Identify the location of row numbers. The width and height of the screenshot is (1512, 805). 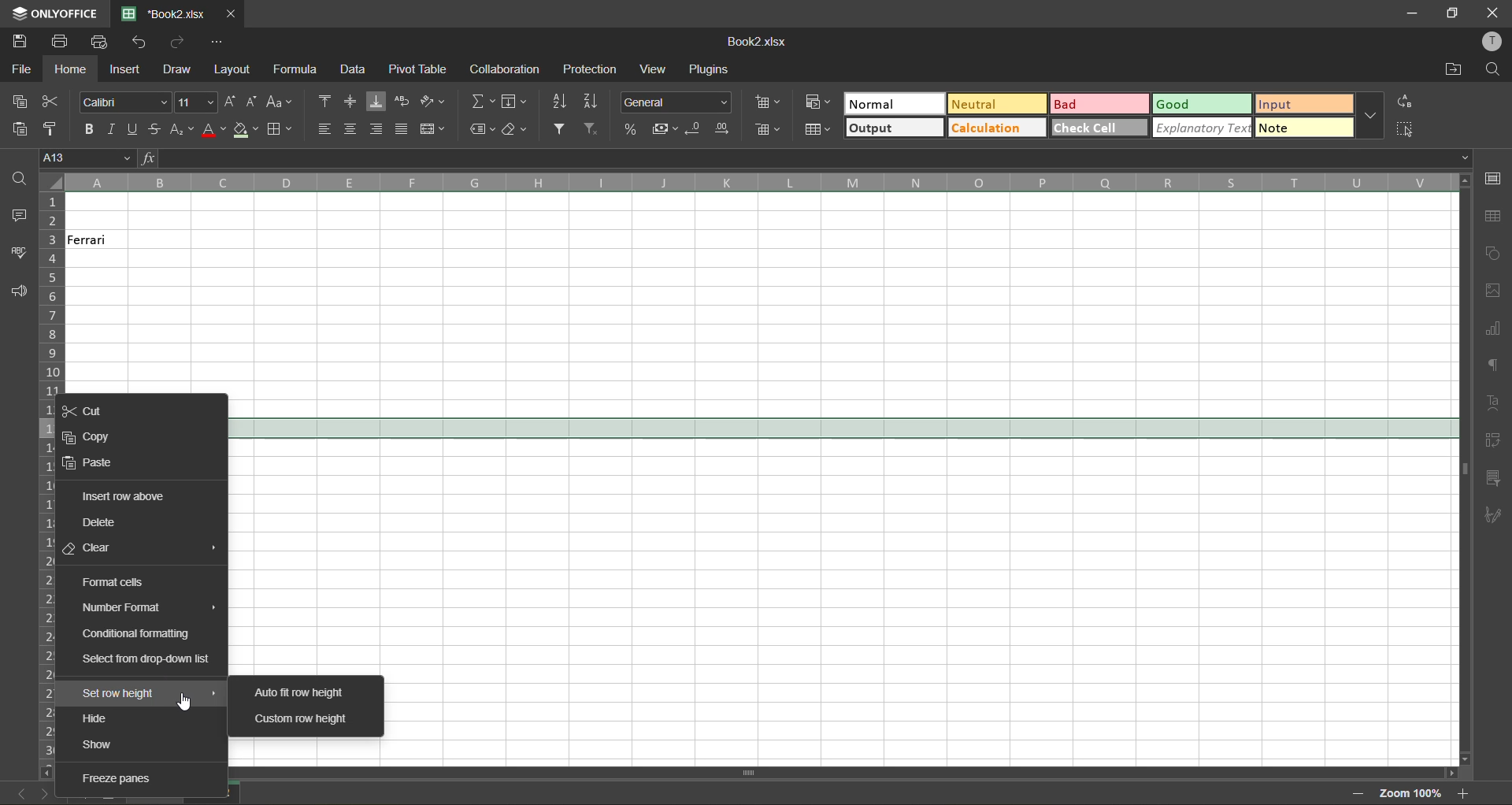
(52, 292).